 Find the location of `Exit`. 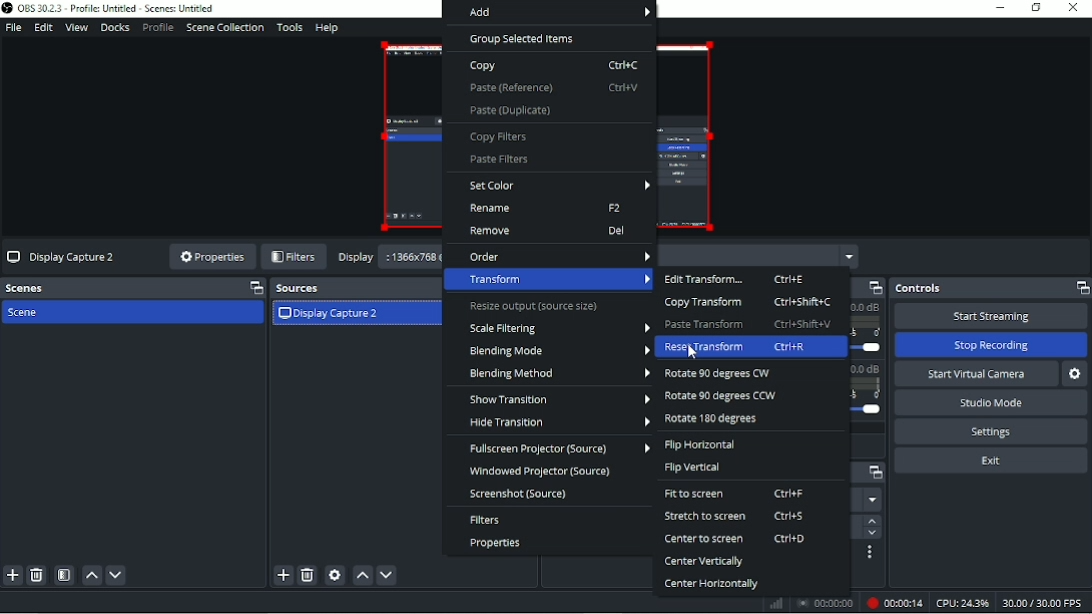

Exit is located at coordinates (990, 460).